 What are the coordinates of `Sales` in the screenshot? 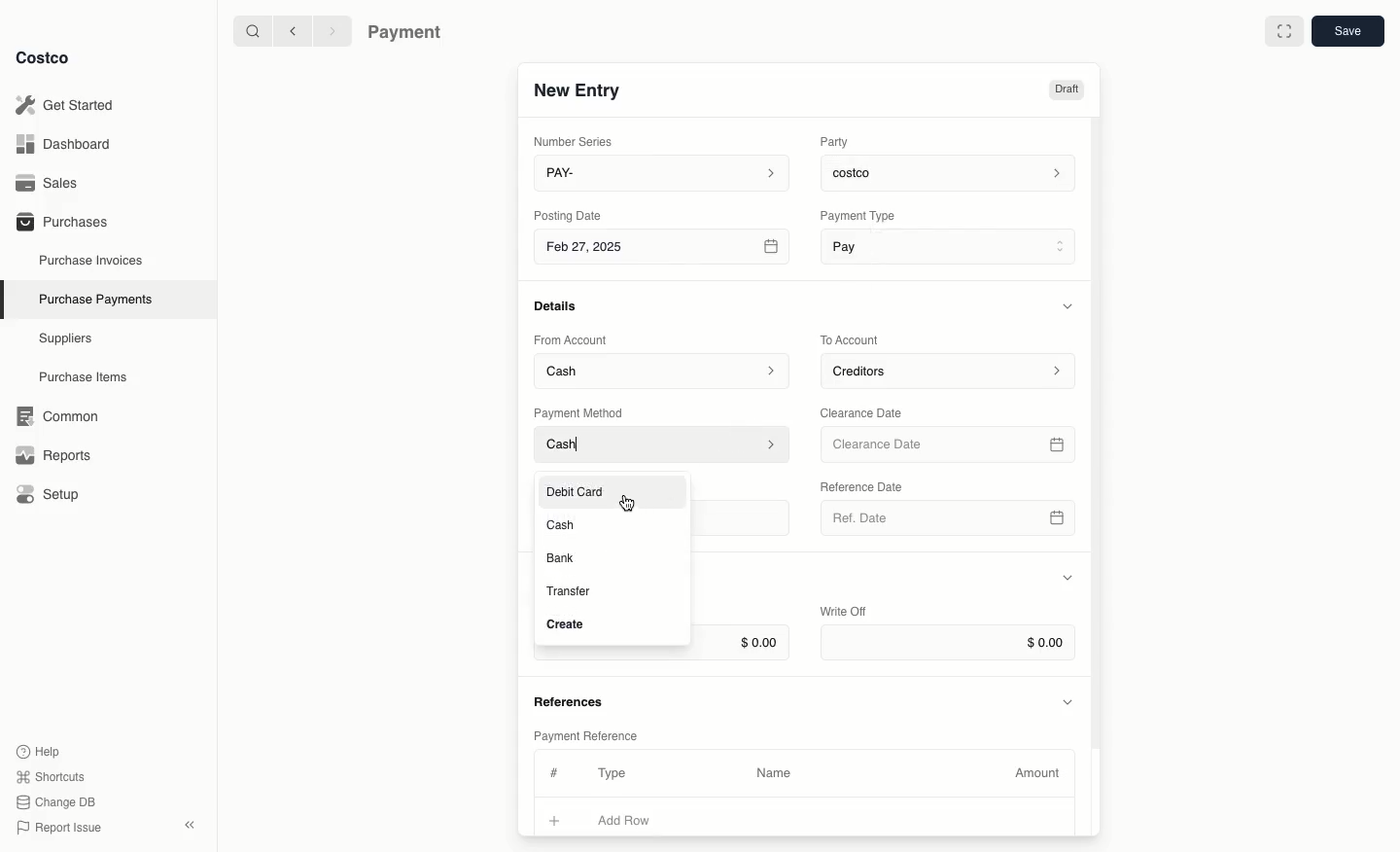 It's located at (53, 183).